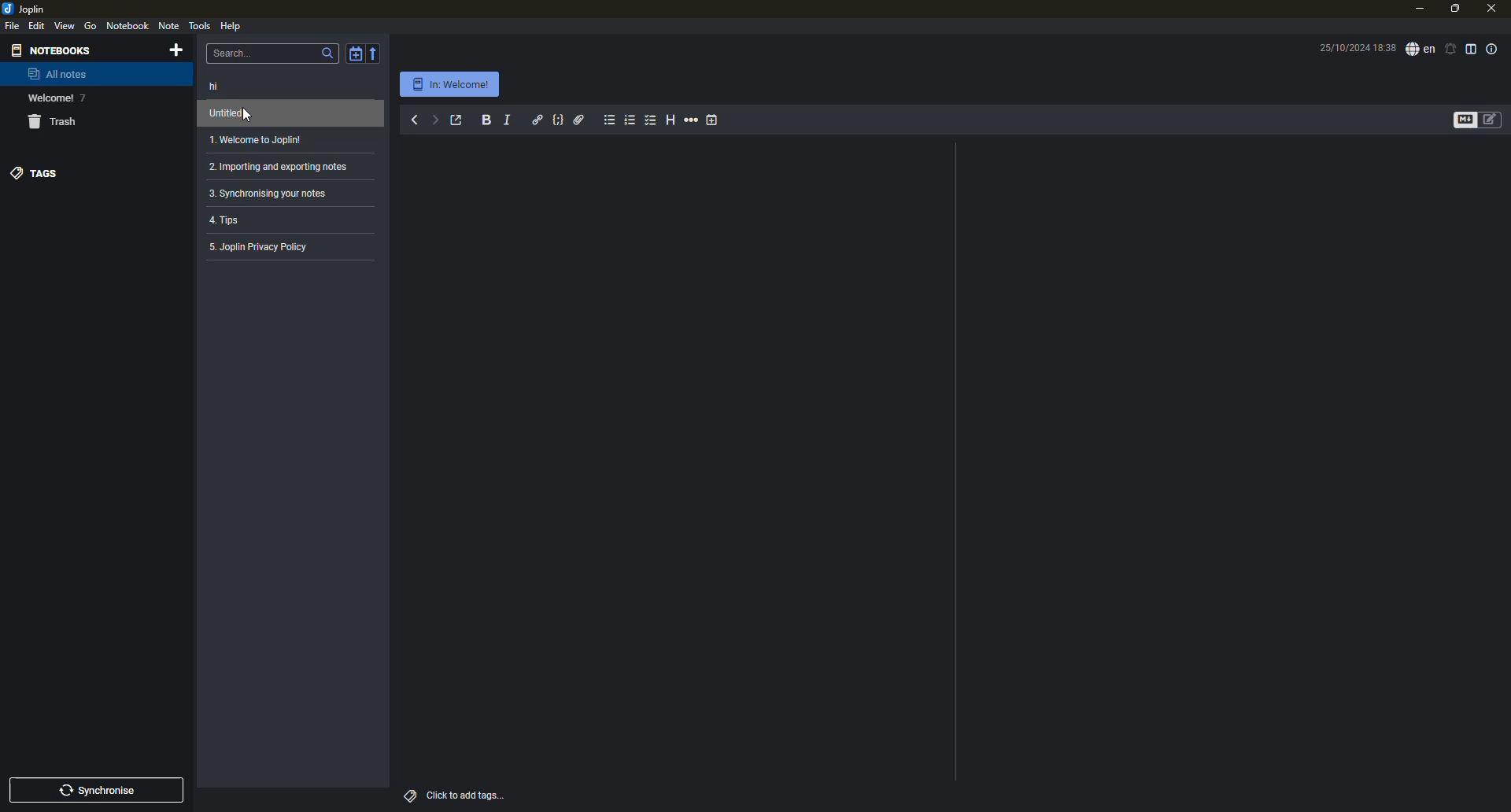 This screenshot has width=1511, height=812. I want to click on set alarm, so click(1450, 49).